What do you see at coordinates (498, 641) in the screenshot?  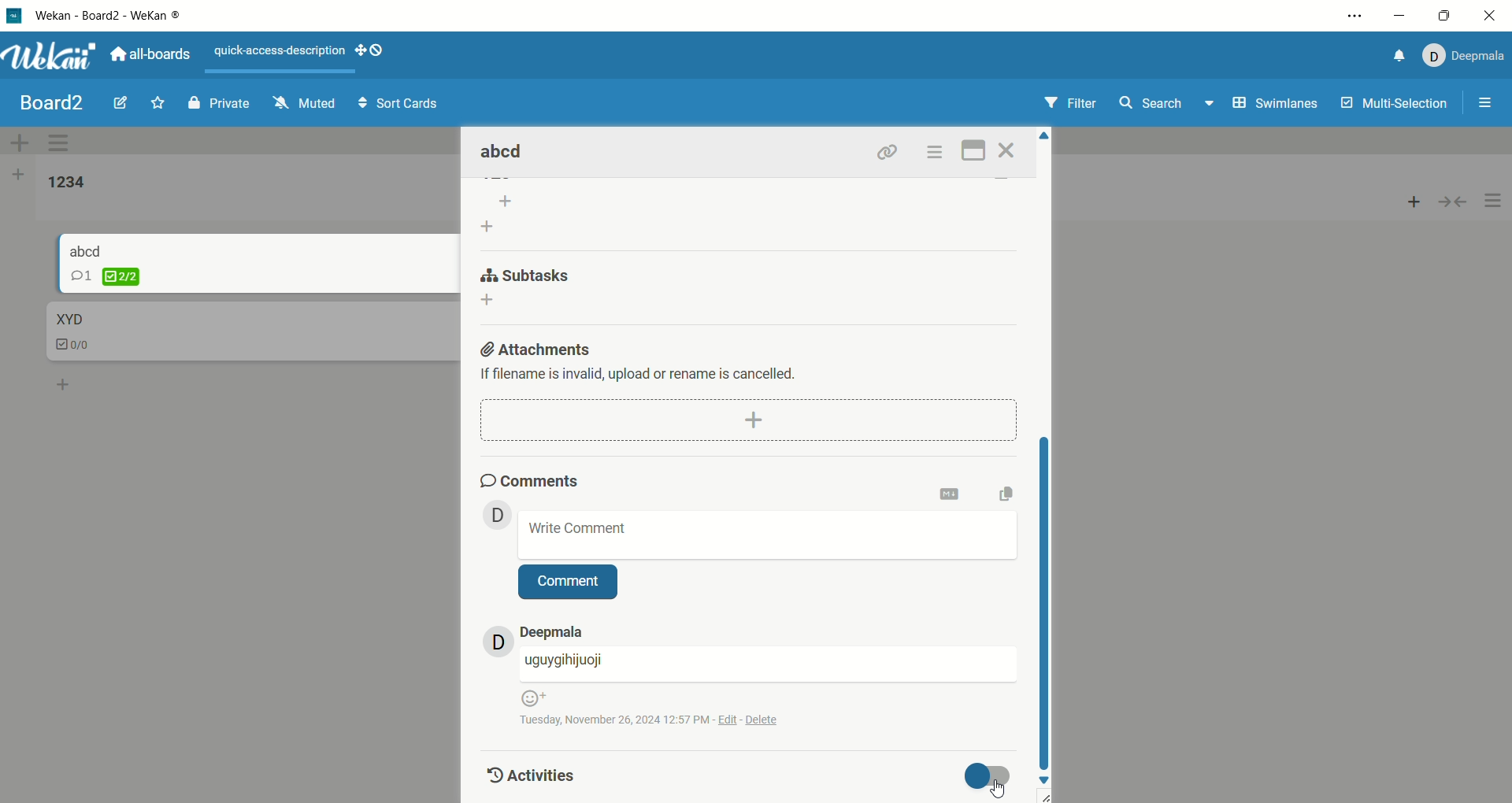 I see `avatar` at bounding box center [498, 641].